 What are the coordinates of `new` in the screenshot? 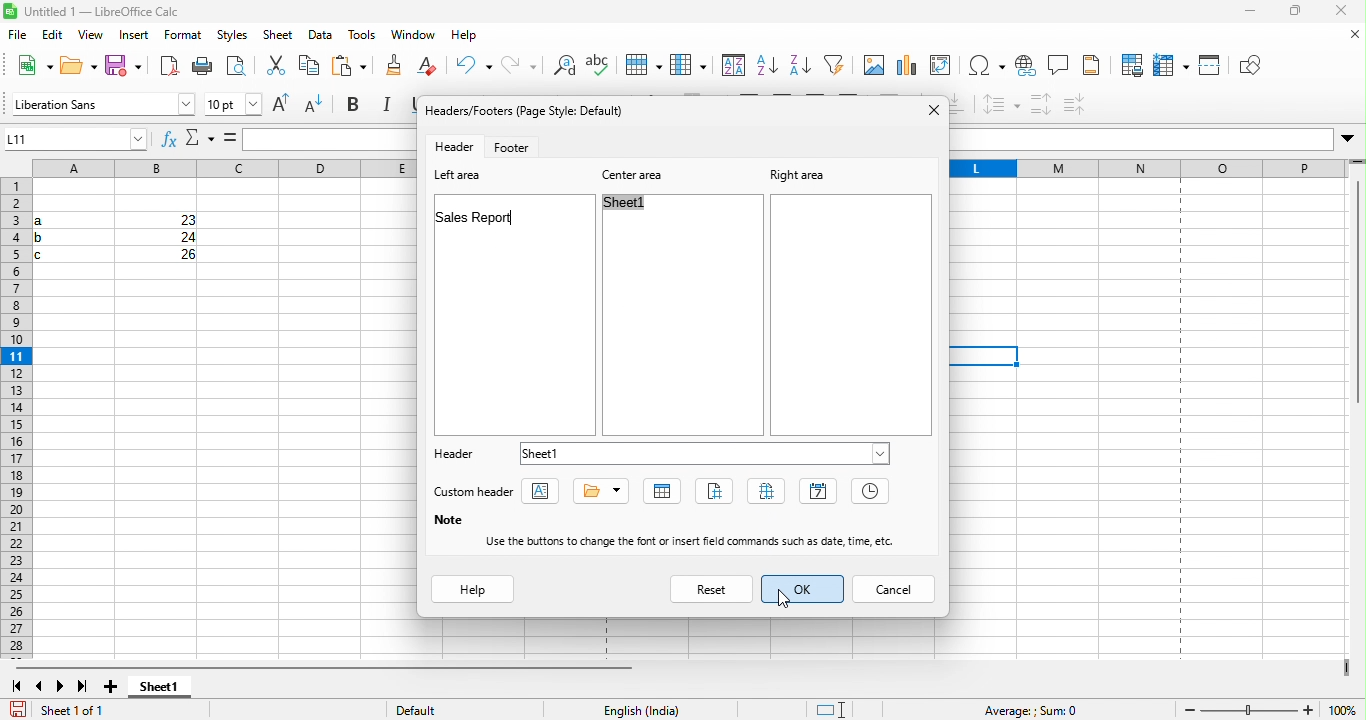 It's located at (33, 66).